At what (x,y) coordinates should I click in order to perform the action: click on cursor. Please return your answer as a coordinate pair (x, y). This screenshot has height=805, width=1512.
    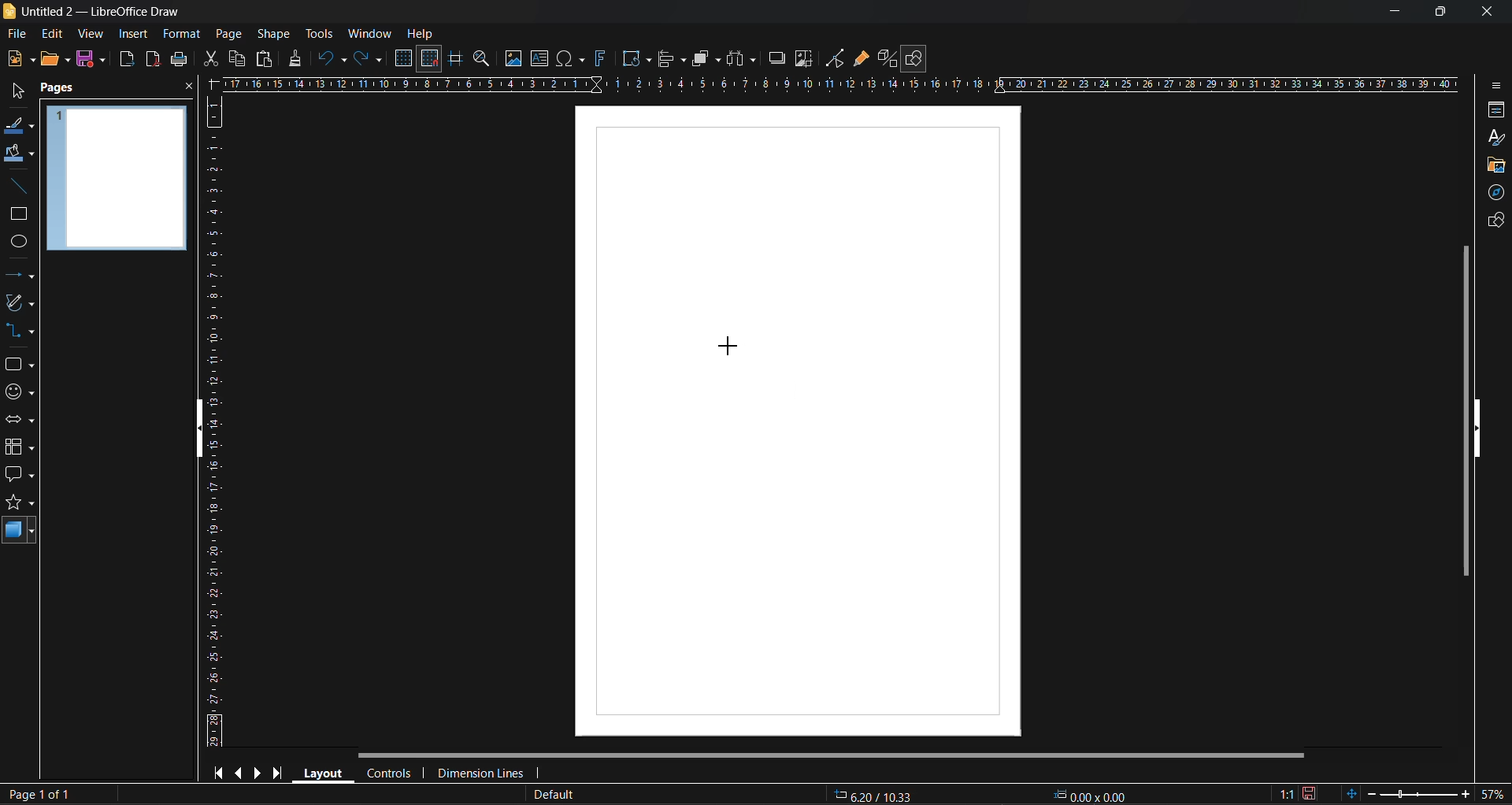
    Looking at the image, I should click on (731, 346).